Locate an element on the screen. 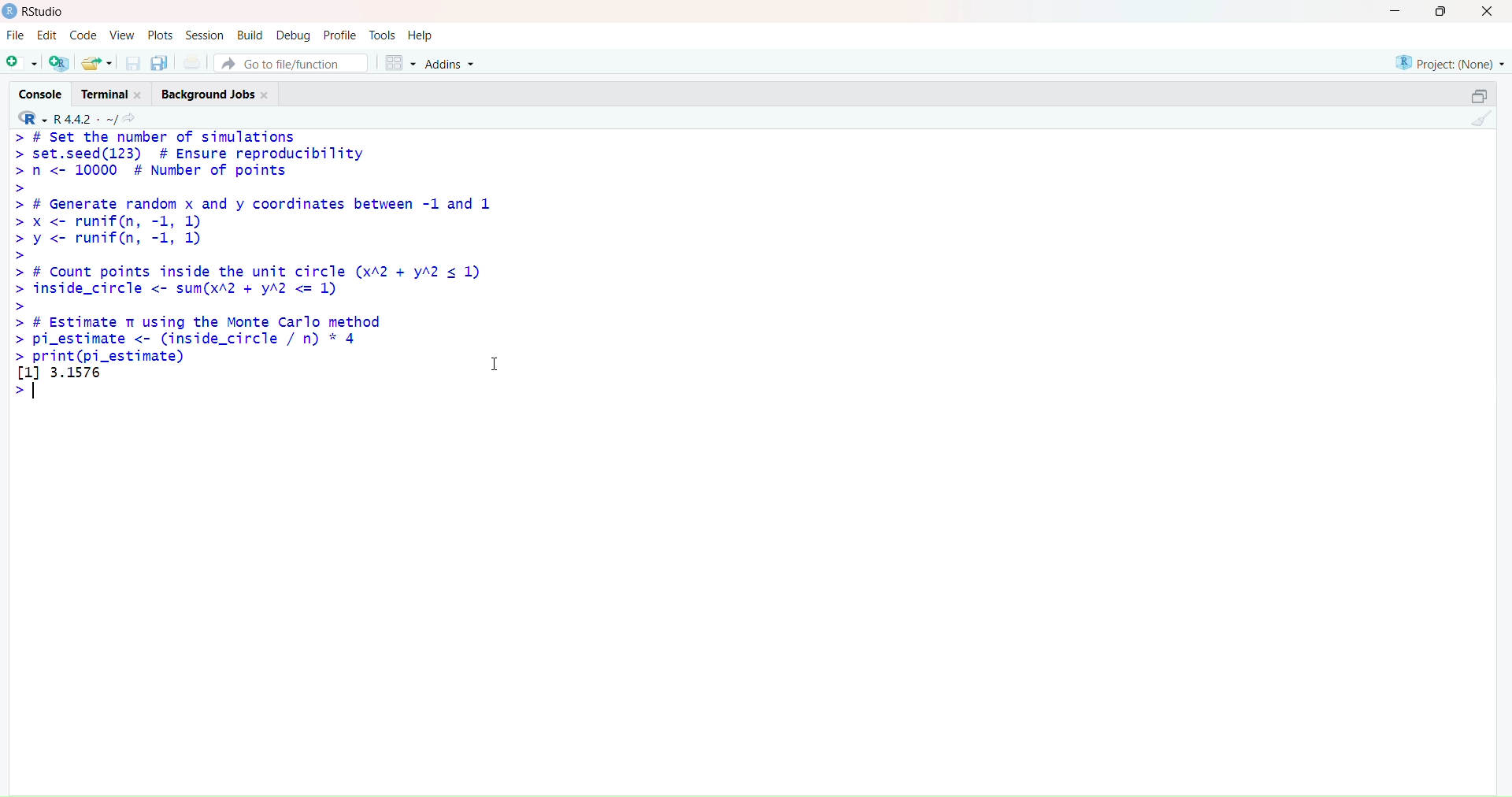 The height and width of the screenshot is (797, 1512). Plots is located at coordinates (161, 34).